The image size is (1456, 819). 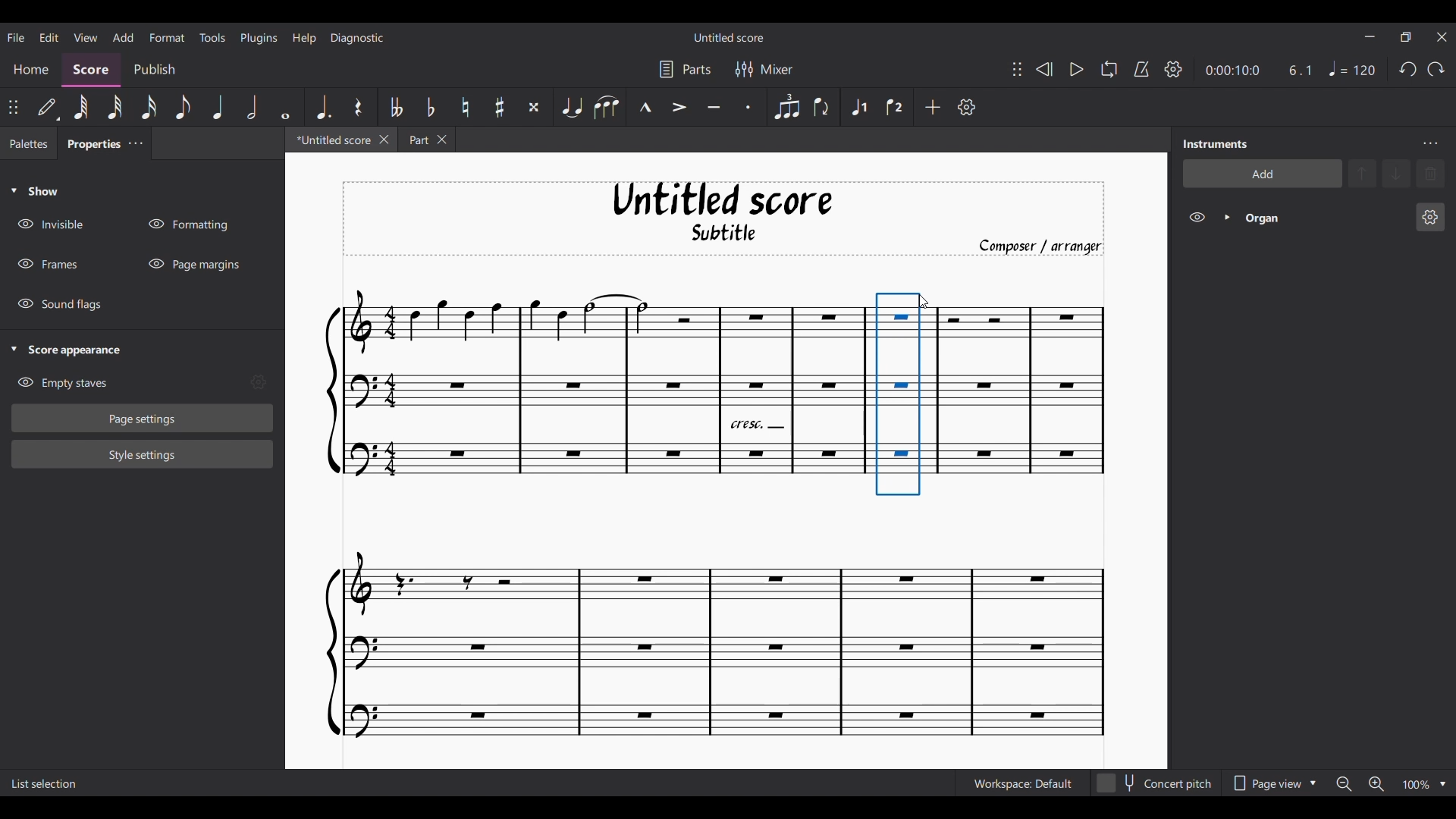 I want to click on Minimize, so click(x=1370, y=36).